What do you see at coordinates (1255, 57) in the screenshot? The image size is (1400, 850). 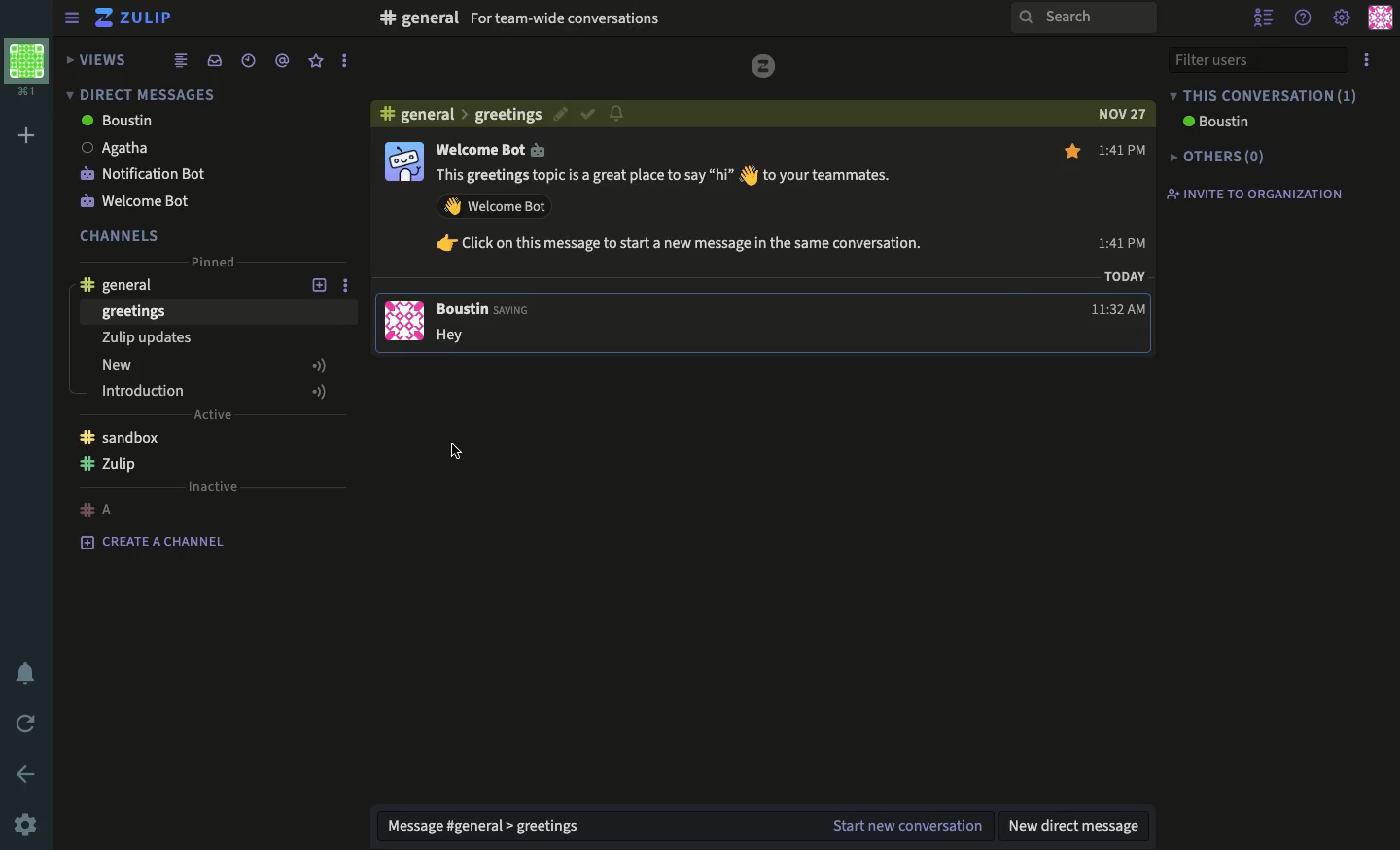 I see `filter users` at bounding box center [1255, 57].